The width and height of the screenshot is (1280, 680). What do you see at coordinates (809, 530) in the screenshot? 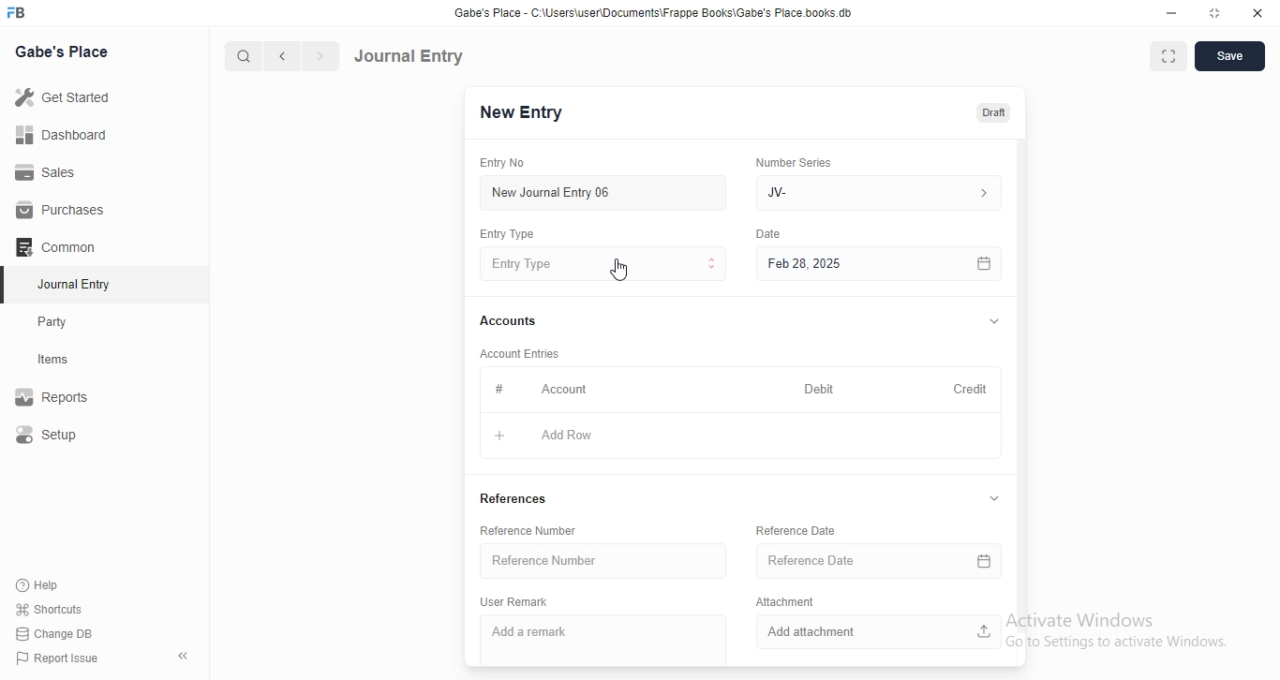
I see `Reference Date` at bounding box center [809, 530].